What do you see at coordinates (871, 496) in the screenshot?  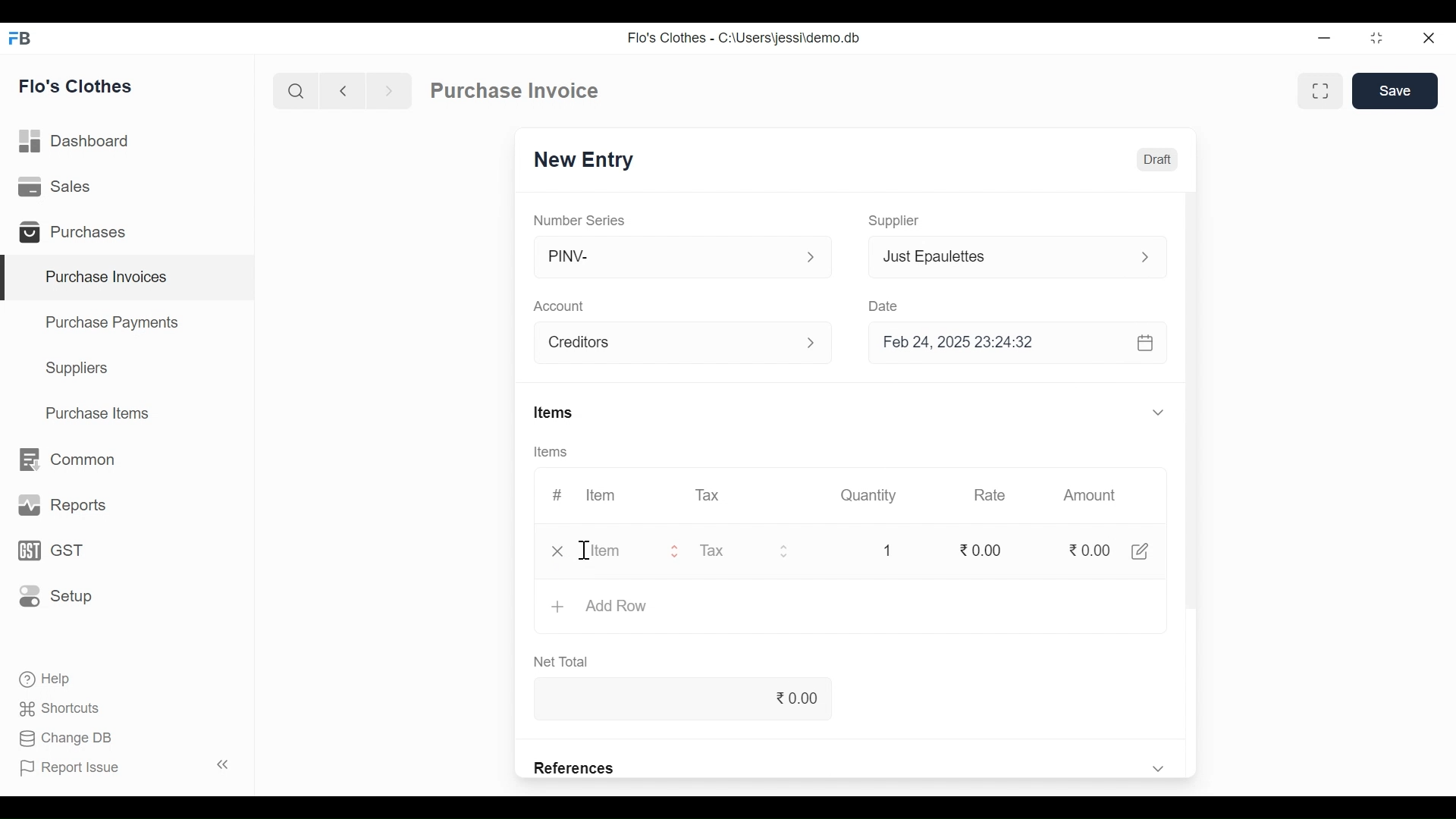 I see `Quantity` at bounding box center [871, 496].